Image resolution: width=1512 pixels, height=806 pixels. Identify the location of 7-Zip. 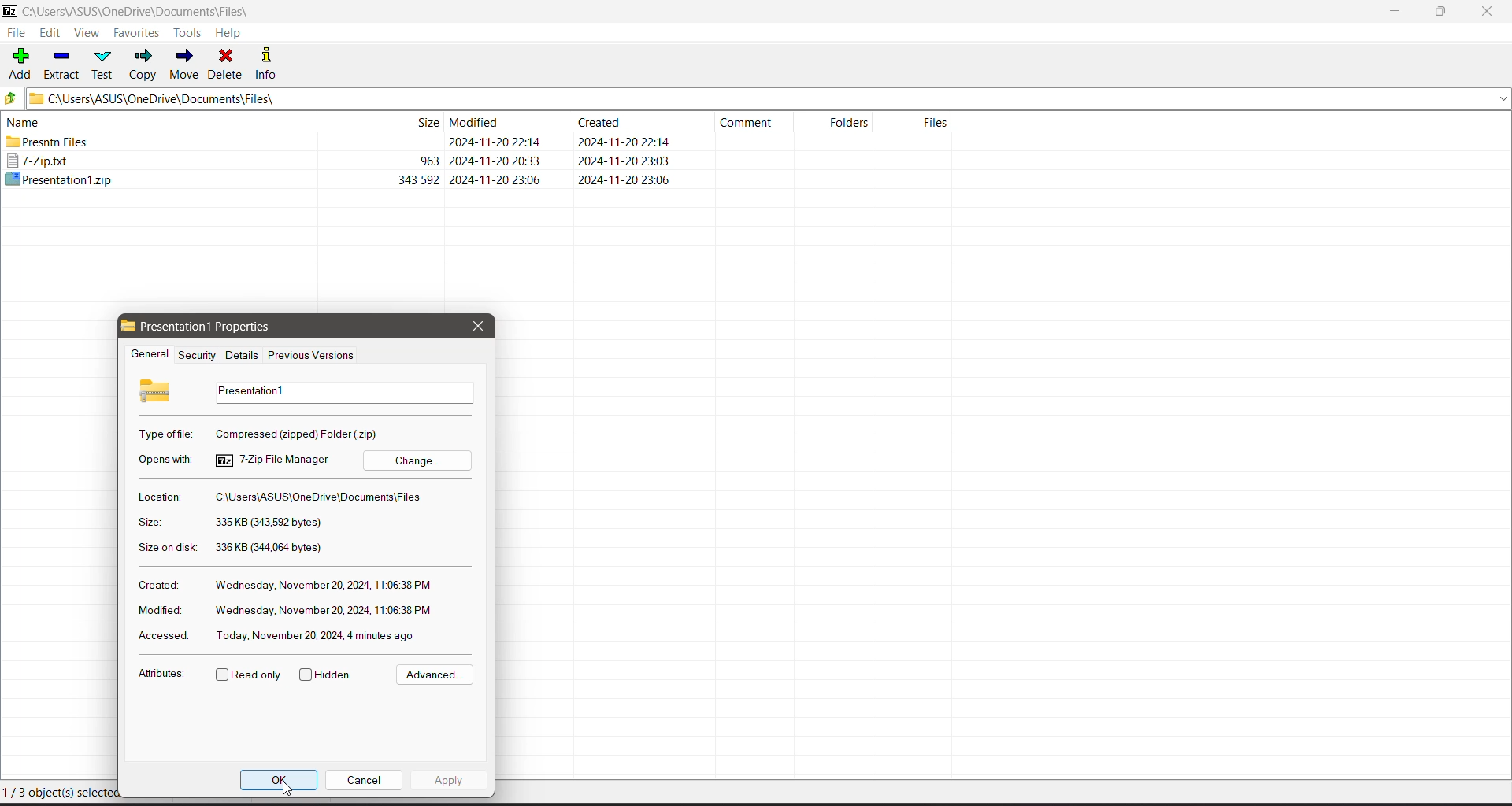
(342, 161).